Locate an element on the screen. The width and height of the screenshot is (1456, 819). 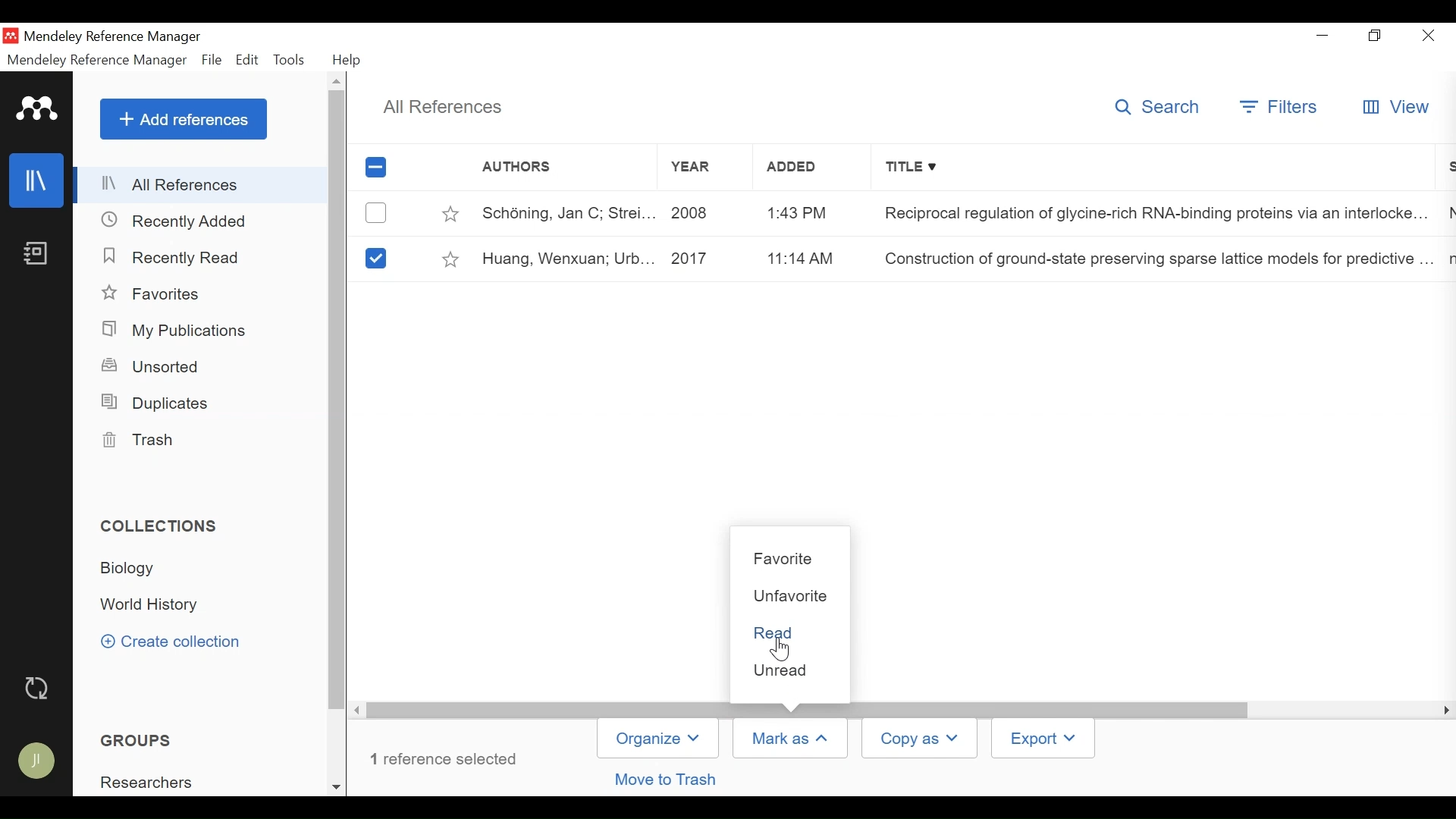
Filter is located at coordinates (1282, 107).